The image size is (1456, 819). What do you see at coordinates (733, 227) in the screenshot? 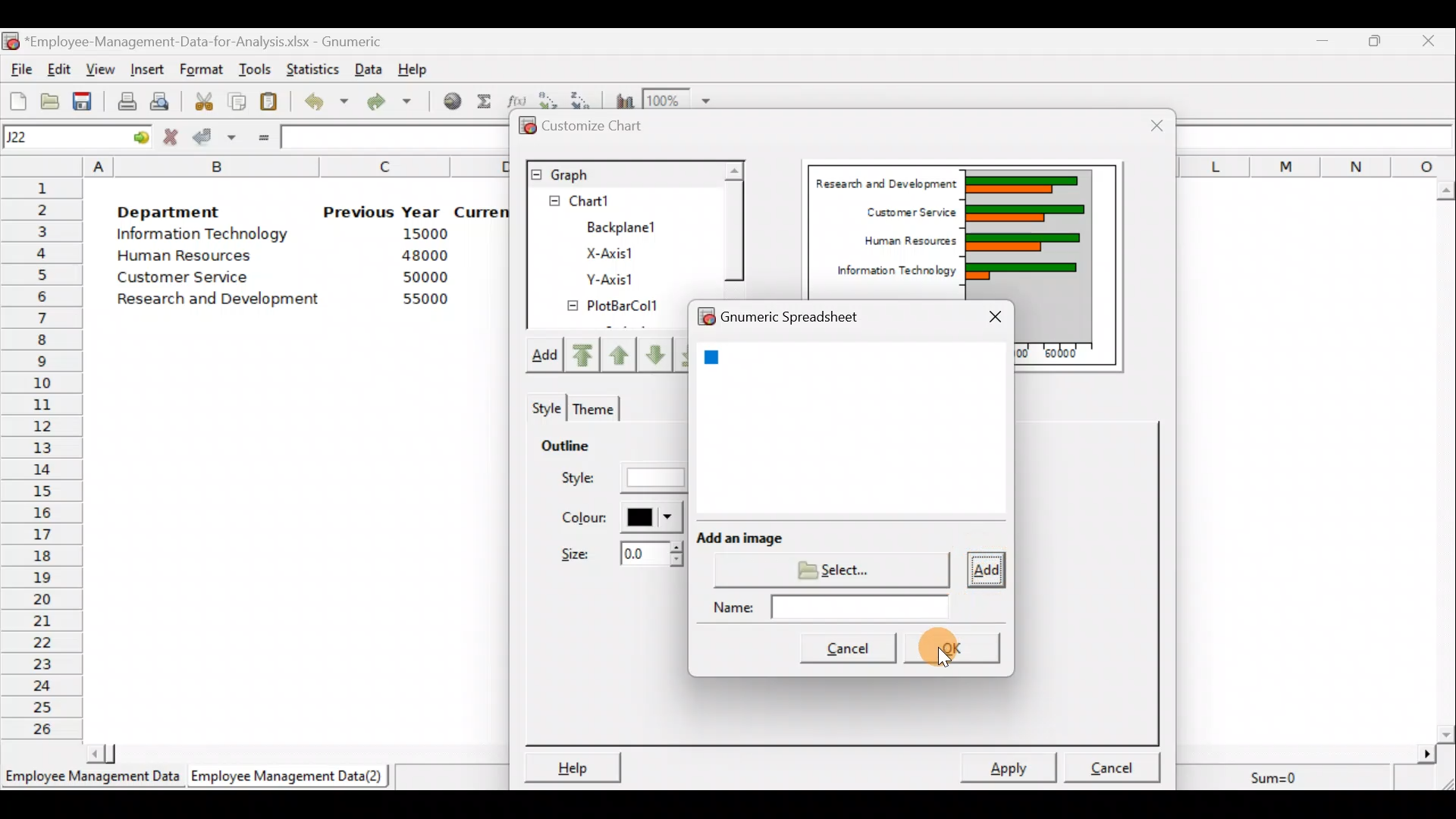
I see `Scroll bar` at bounding box center [733, 227].